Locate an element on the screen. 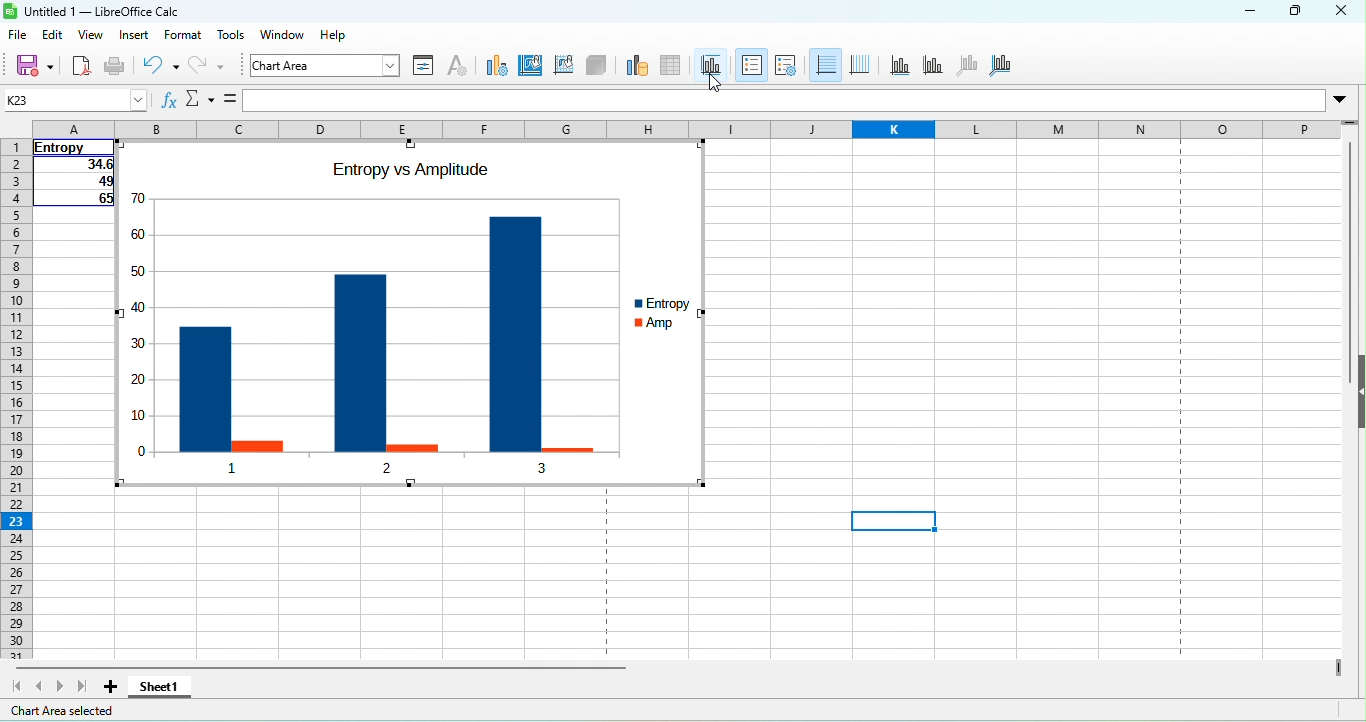 The image size is (1366, 722). amp is located at coordinates (674, 326).